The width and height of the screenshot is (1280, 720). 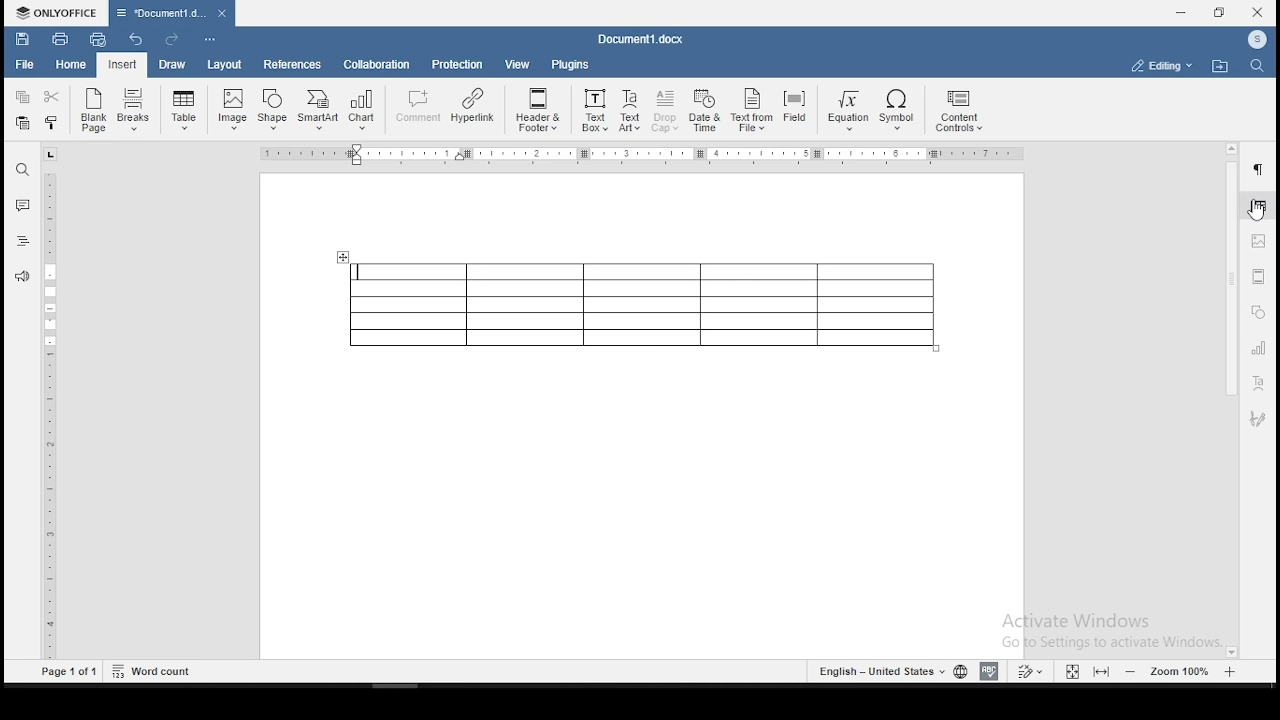 I want to click on Hyperlink, so click(x=473, y=106).